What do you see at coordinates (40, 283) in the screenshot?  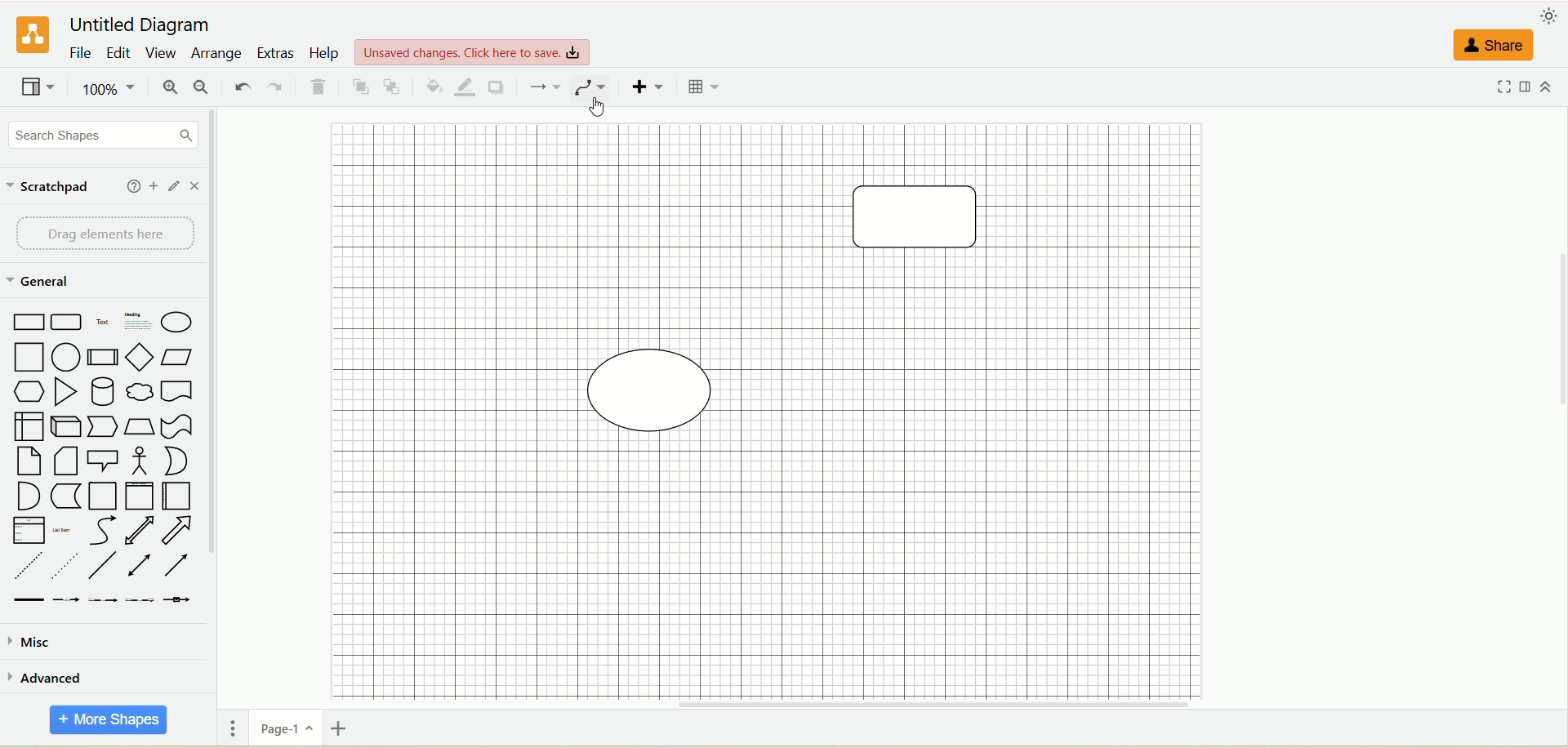 I see `general` at bounding box center [40, 283].